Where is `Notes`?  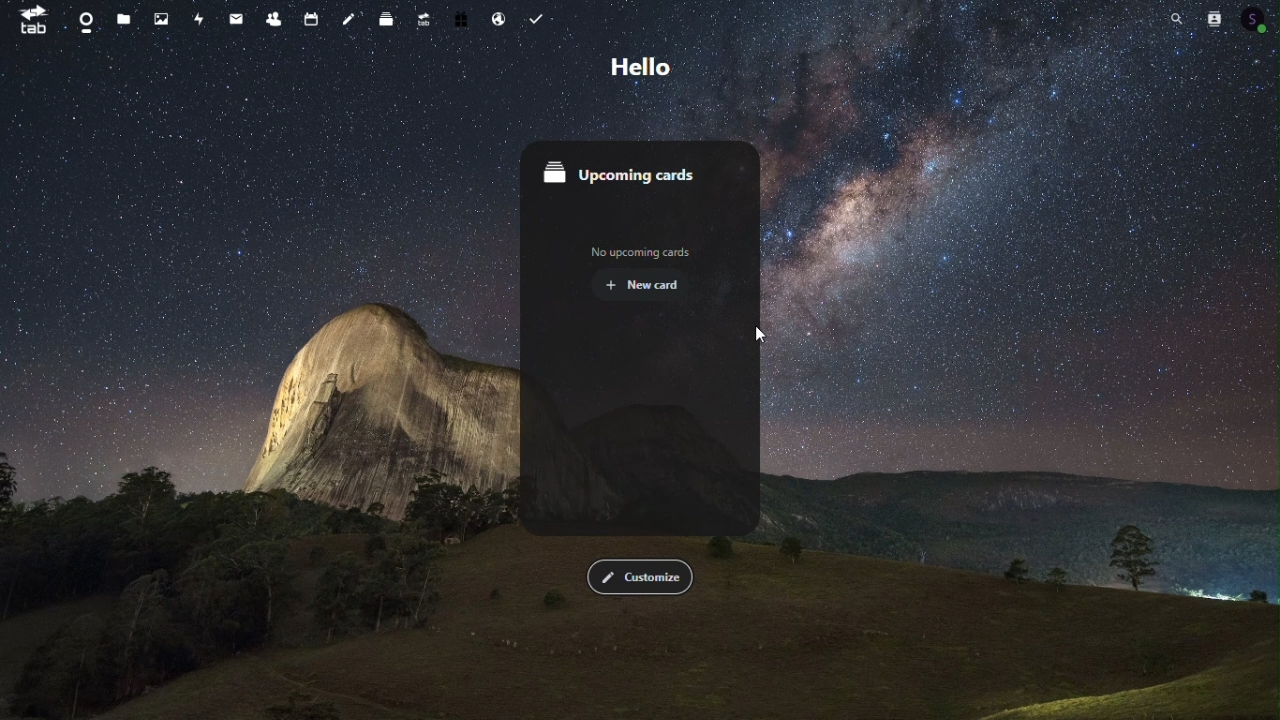 Notes is located at coordinates (349, 16).